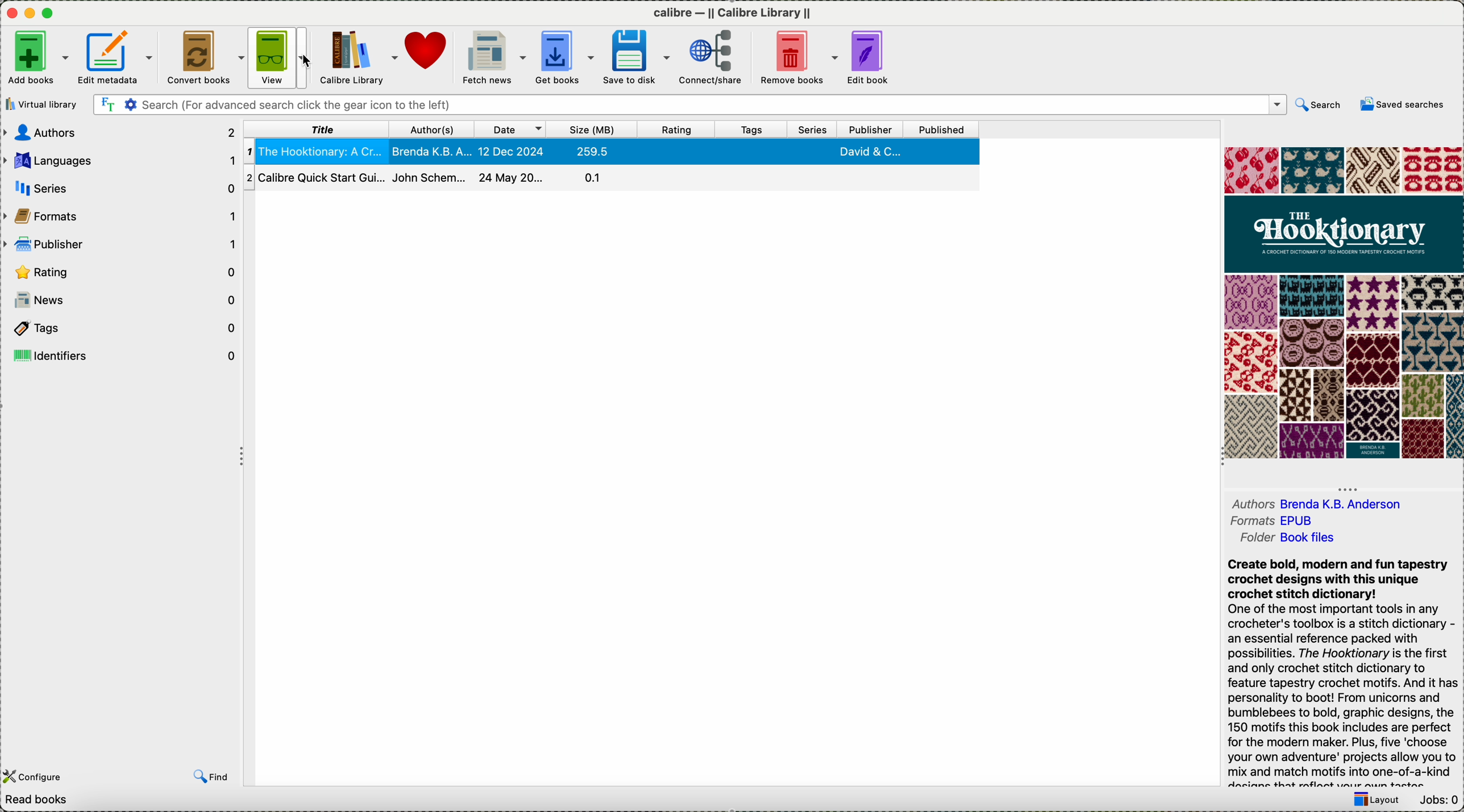 This screenshot has width=1464, height=812. I want to click on maximize program, so click(48, 14).